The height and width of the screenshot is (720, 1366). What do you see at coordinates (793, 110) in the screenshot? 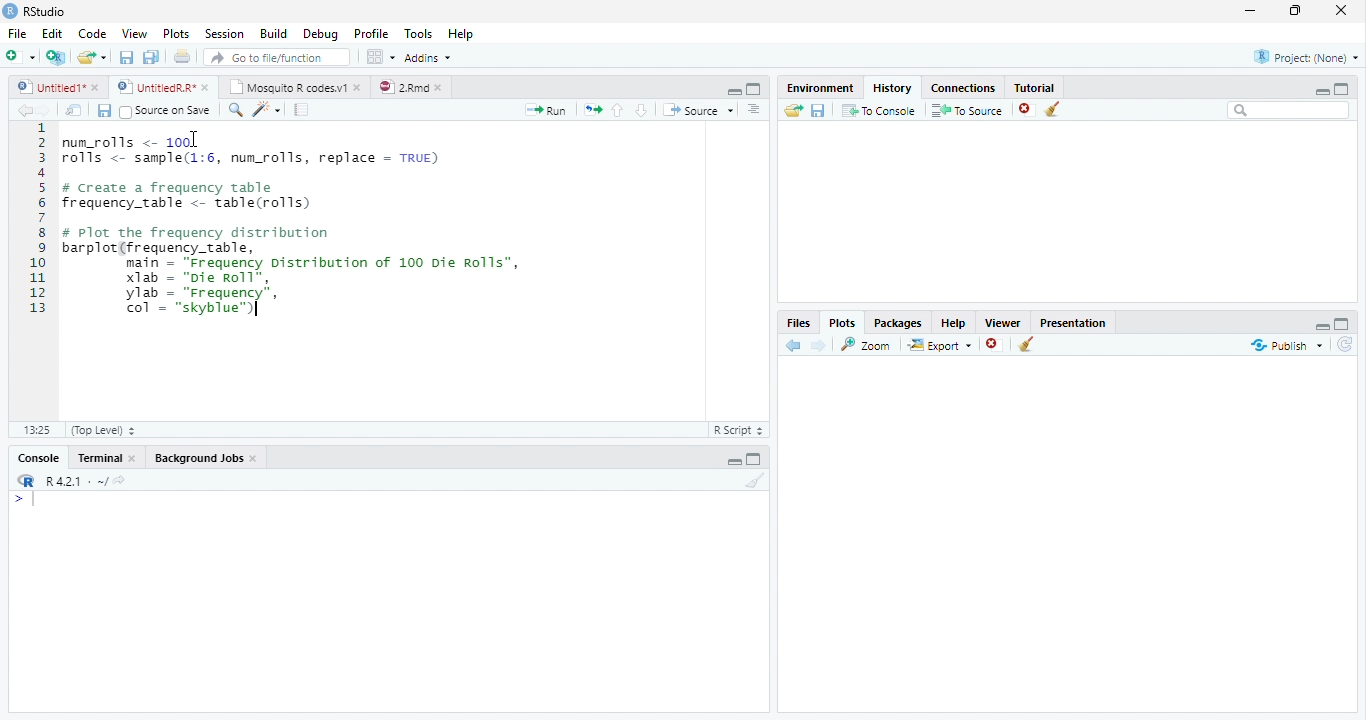
I see `Load History from existing file` at bounding box center [793, 110].